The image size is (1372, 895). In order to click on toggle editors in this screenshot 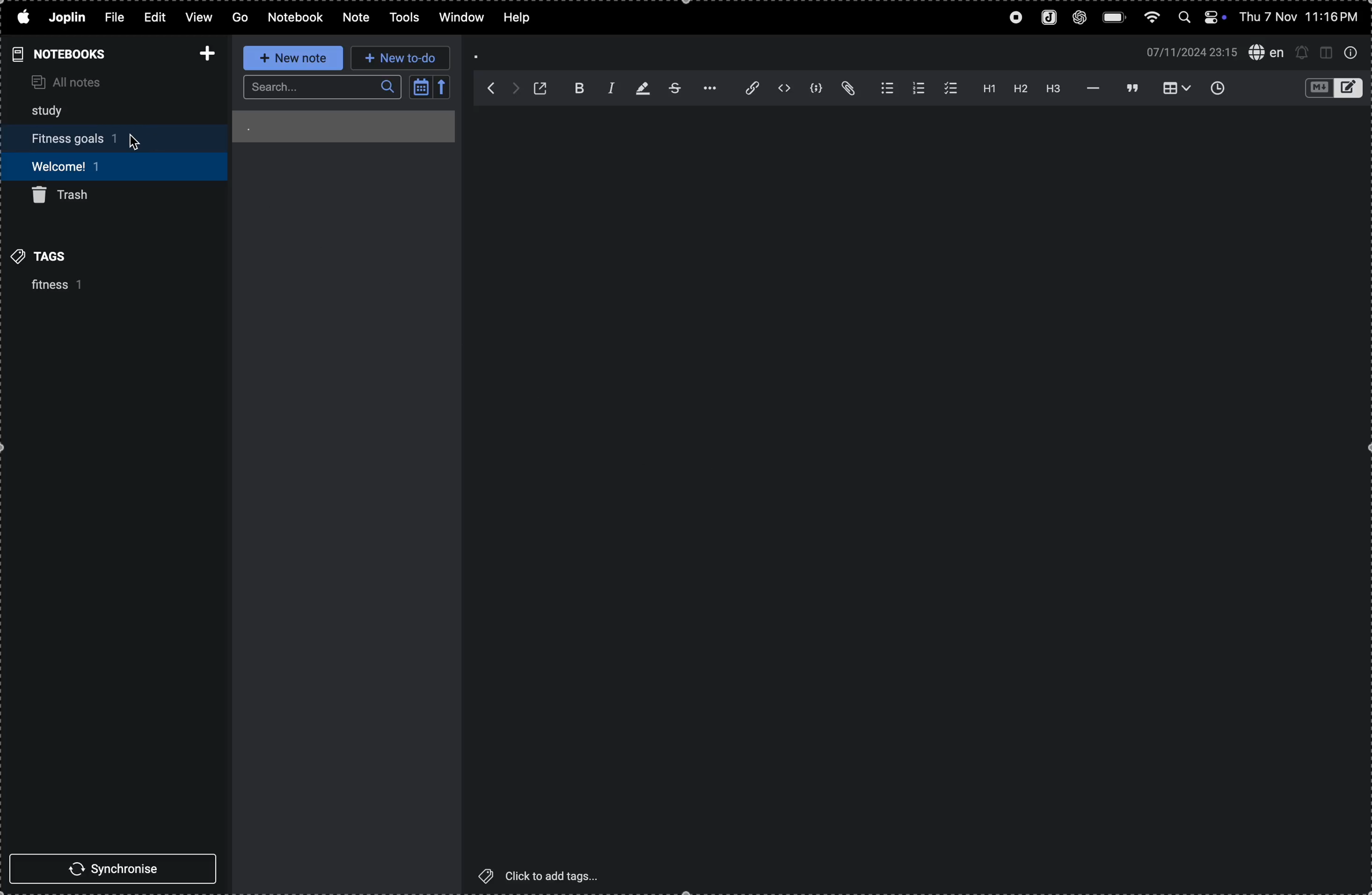, I will do `click(1330, 88)`.